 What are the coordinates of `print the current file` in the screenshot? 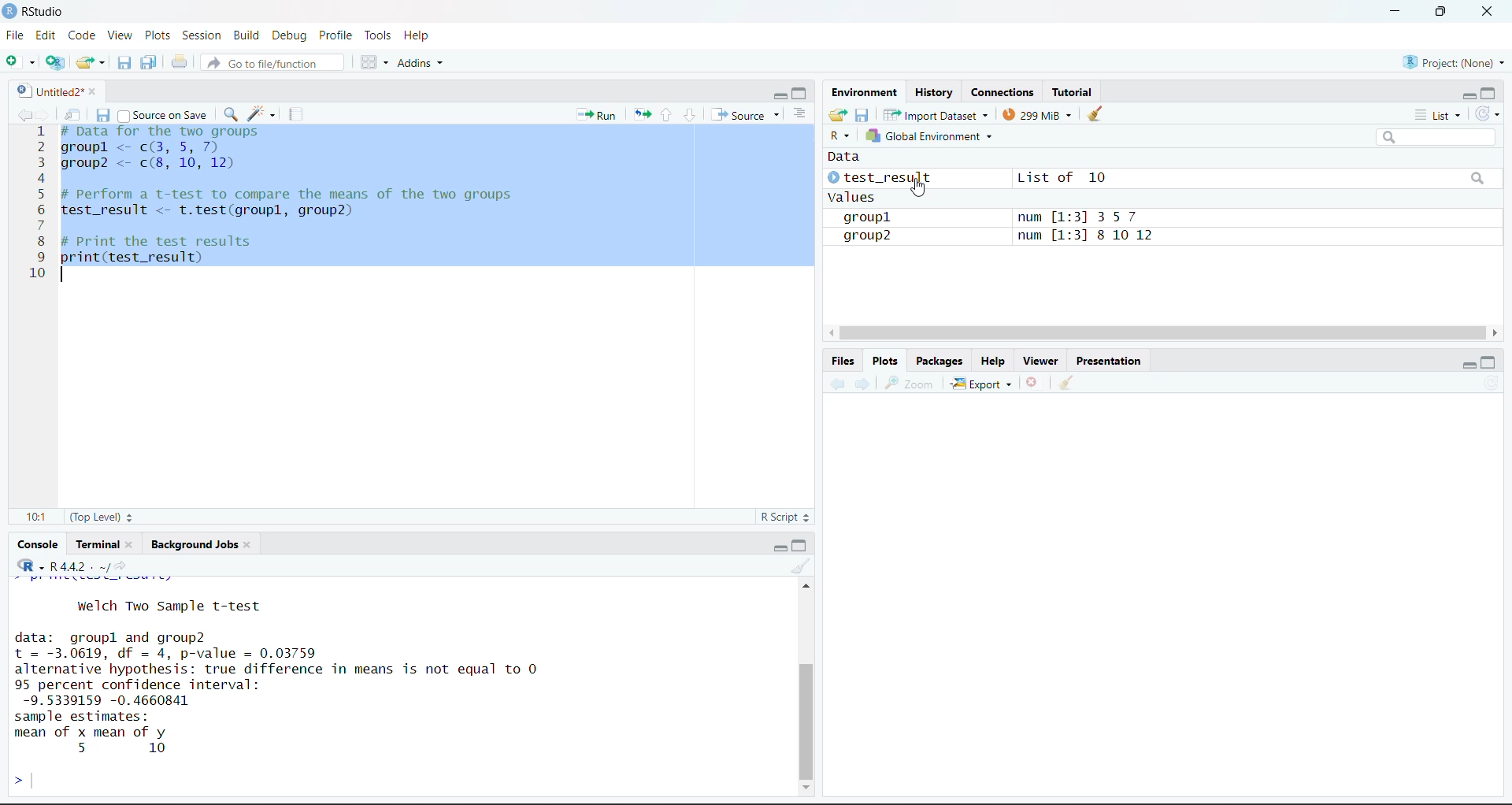 It's located at (180, 62).